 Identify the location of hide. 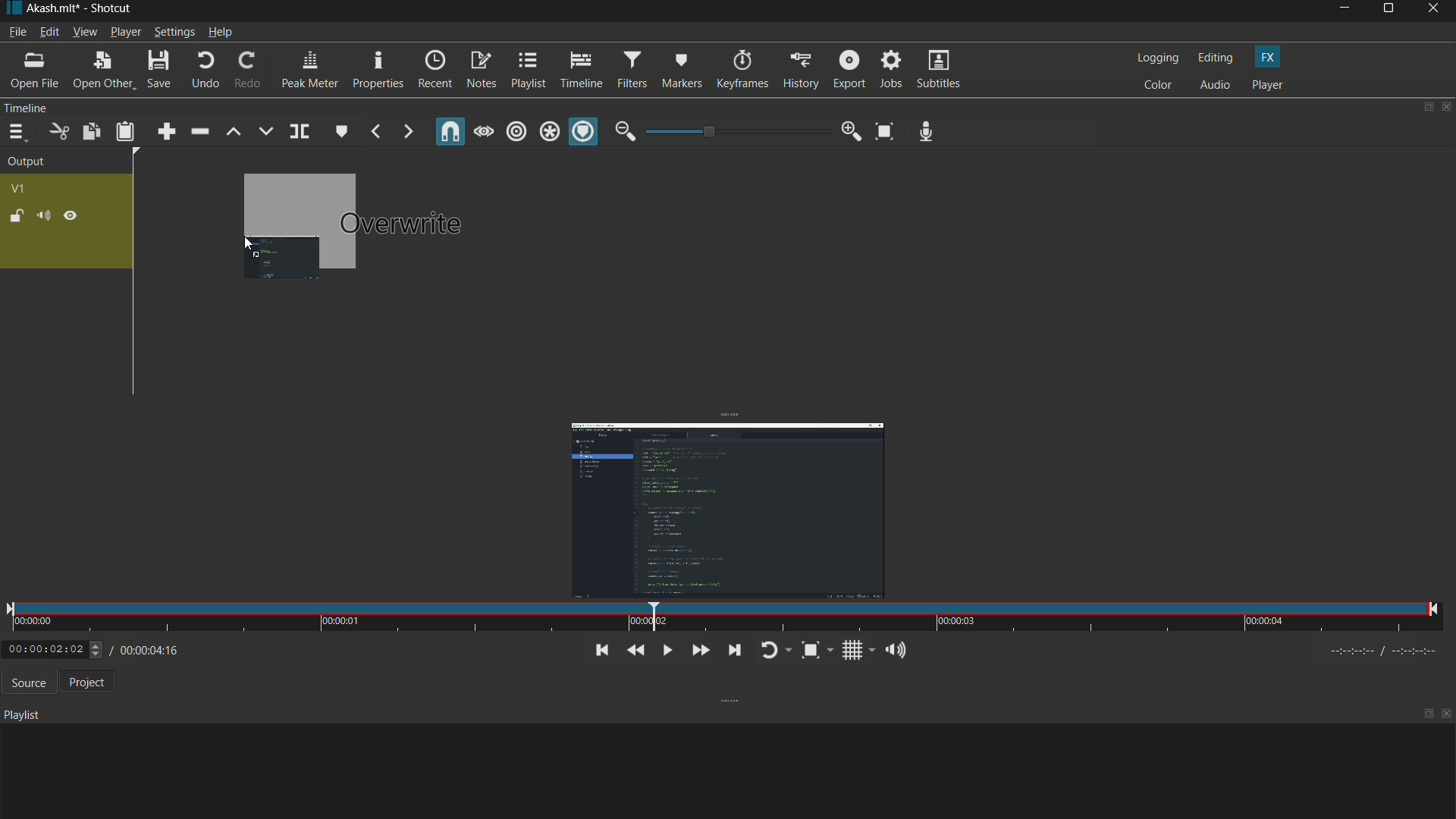
(70, 216).